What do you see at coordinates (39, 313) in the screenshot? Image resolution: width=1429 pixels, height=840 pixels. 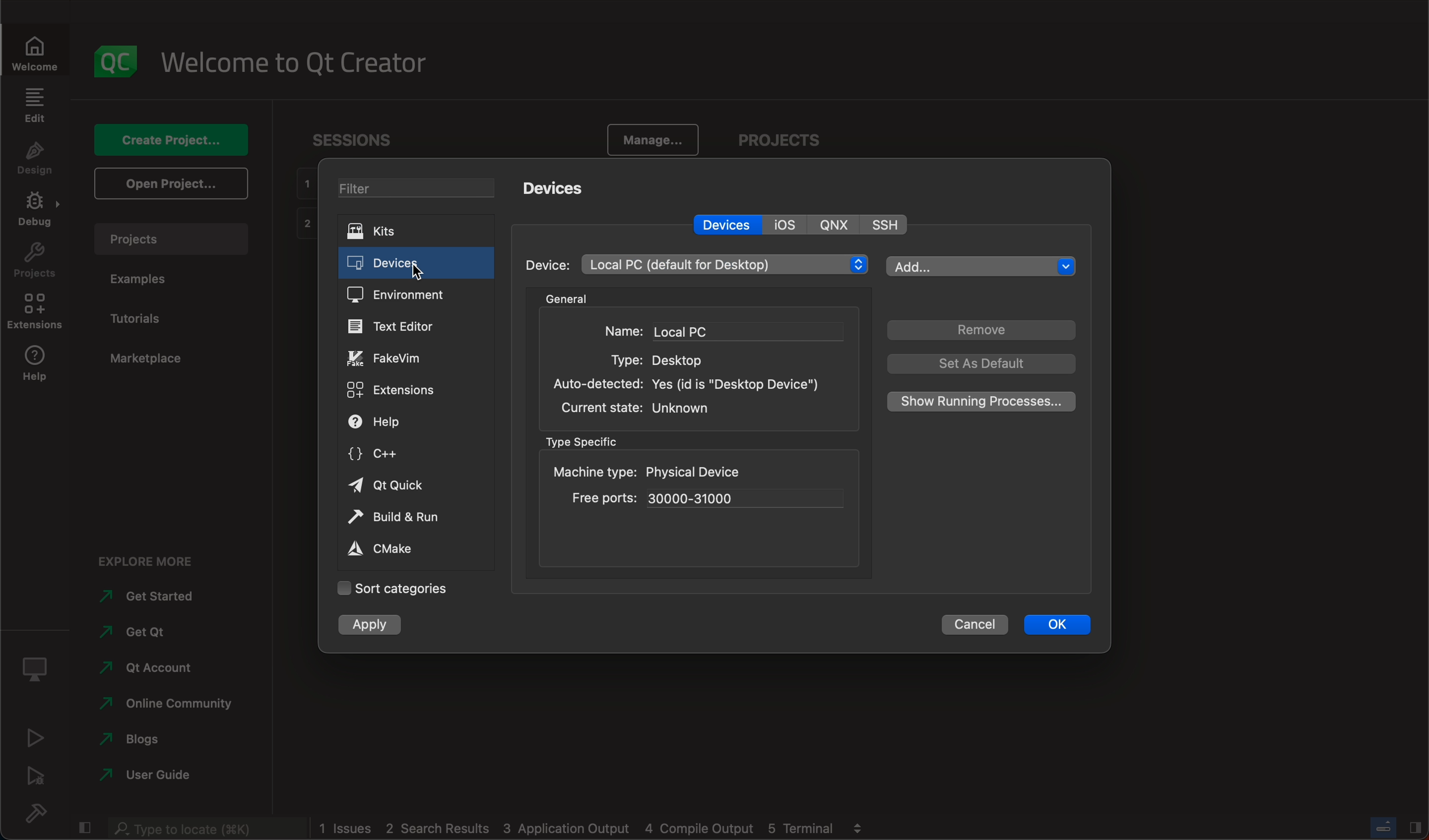 I see `extensions` at bounding box center [39, 313].